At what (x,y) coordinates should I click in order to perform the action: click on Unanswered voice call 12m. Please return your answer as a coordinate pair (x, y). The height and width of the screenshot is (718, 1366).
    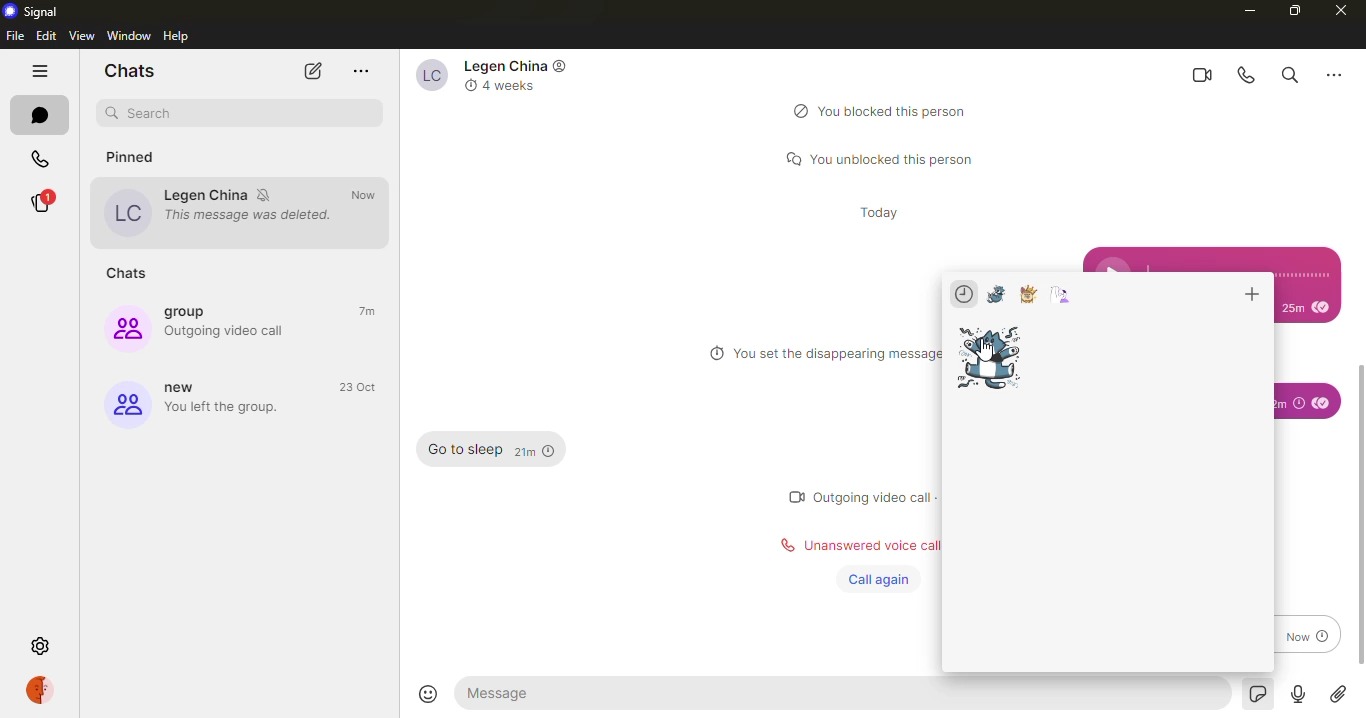
    Looking at the image, I should click on (872, 542).